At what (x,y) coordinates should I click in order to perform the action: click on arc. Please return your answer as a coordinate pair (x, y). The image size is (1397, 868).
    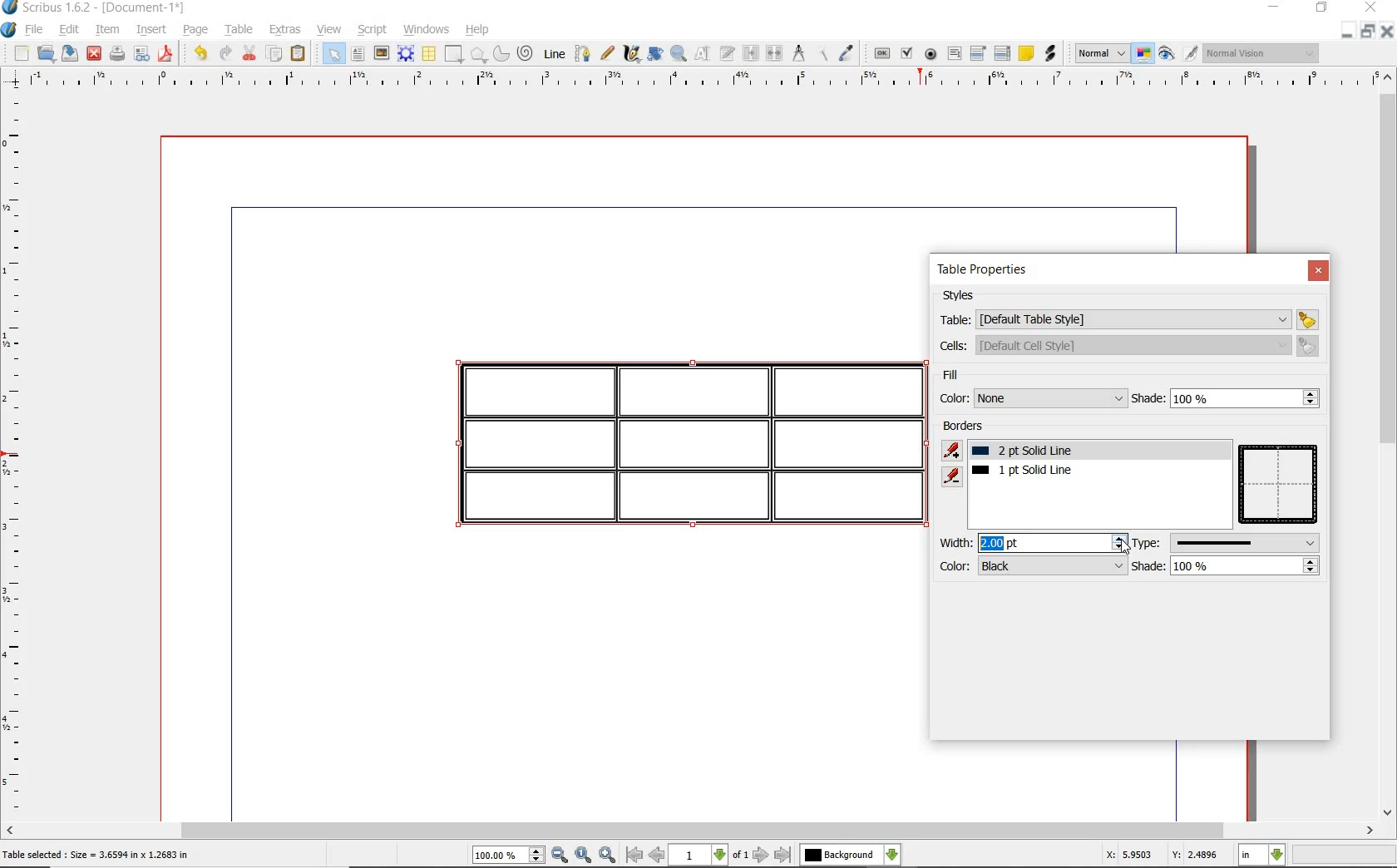
    Looking at the image, I should click on (502, 54).